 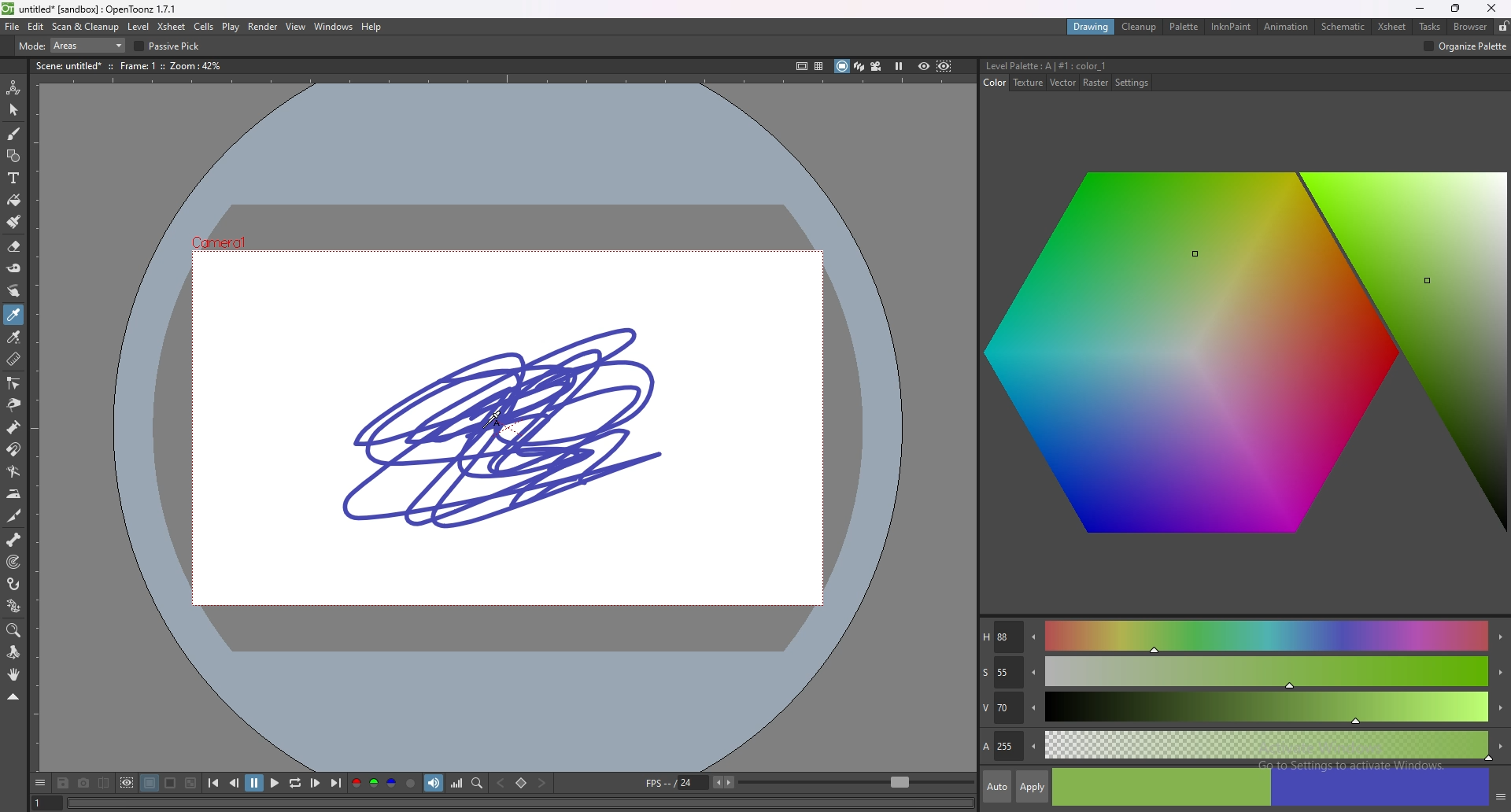 I want to click on eraser tool, so click(x=14, y=246).